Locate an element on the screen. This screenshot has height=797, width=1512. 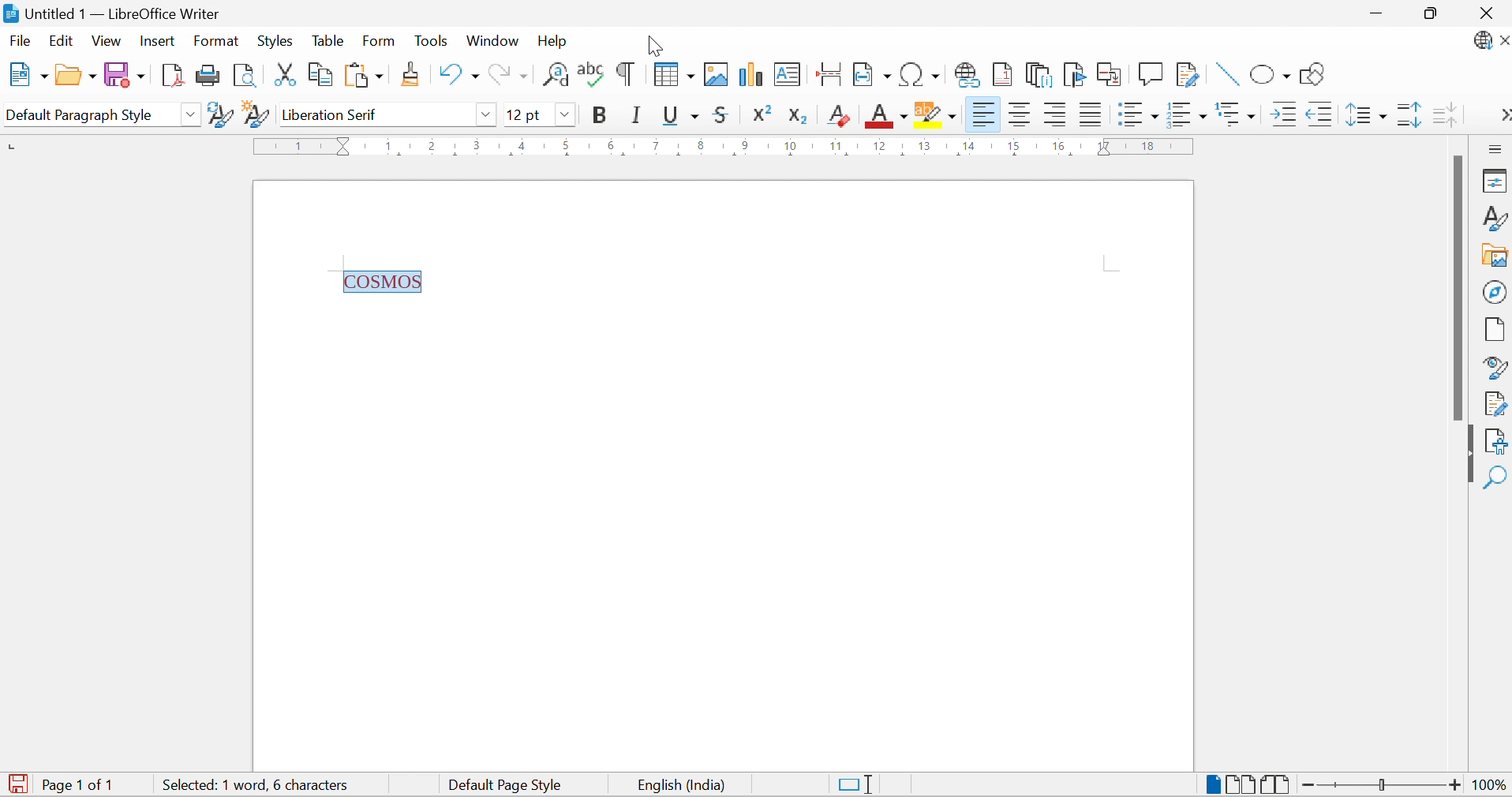
Triangular Markers is located at coordinates (345, 146).